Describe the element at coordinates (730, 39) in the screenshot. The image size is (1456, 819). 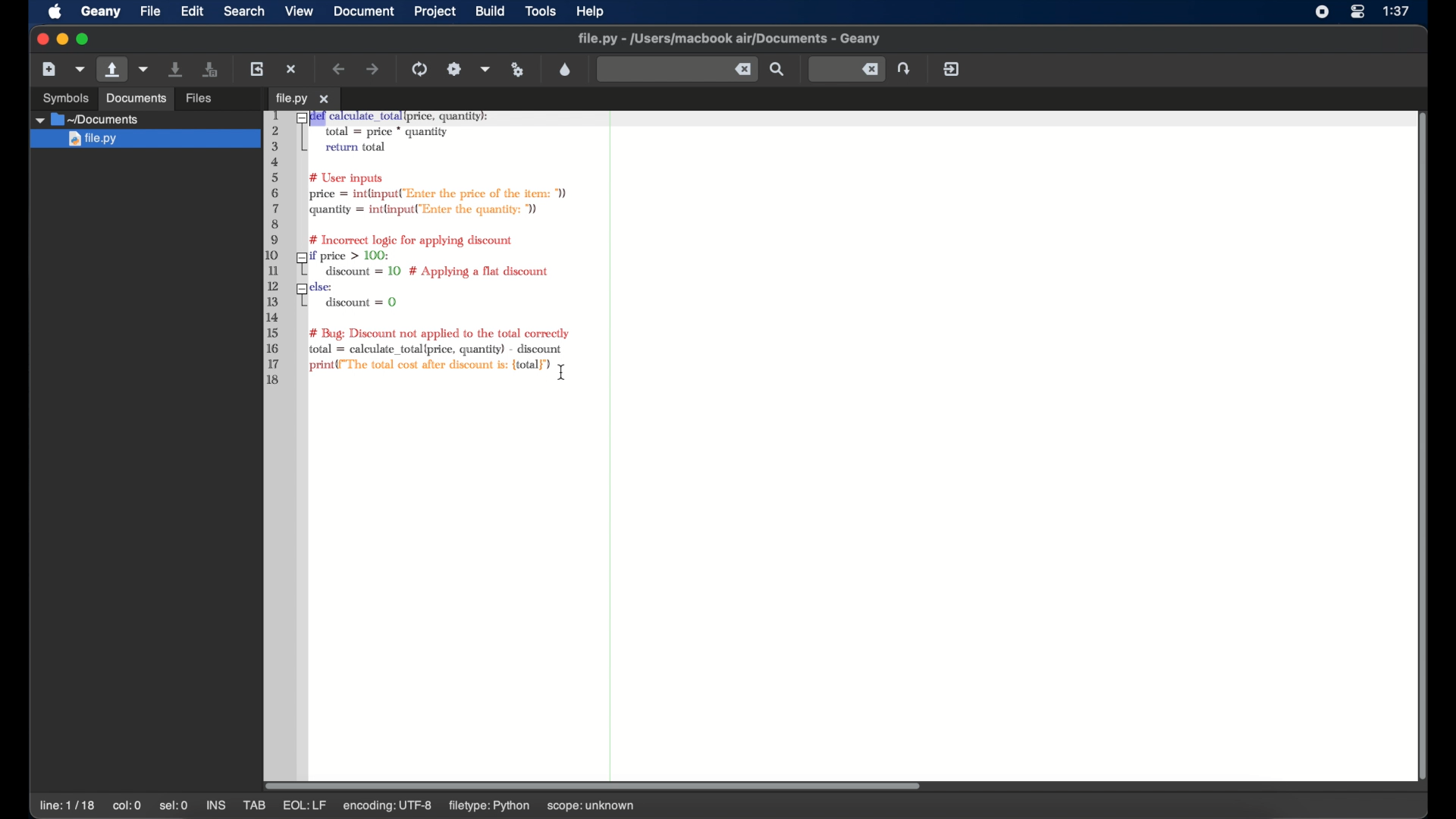
I see `filename` at that location.